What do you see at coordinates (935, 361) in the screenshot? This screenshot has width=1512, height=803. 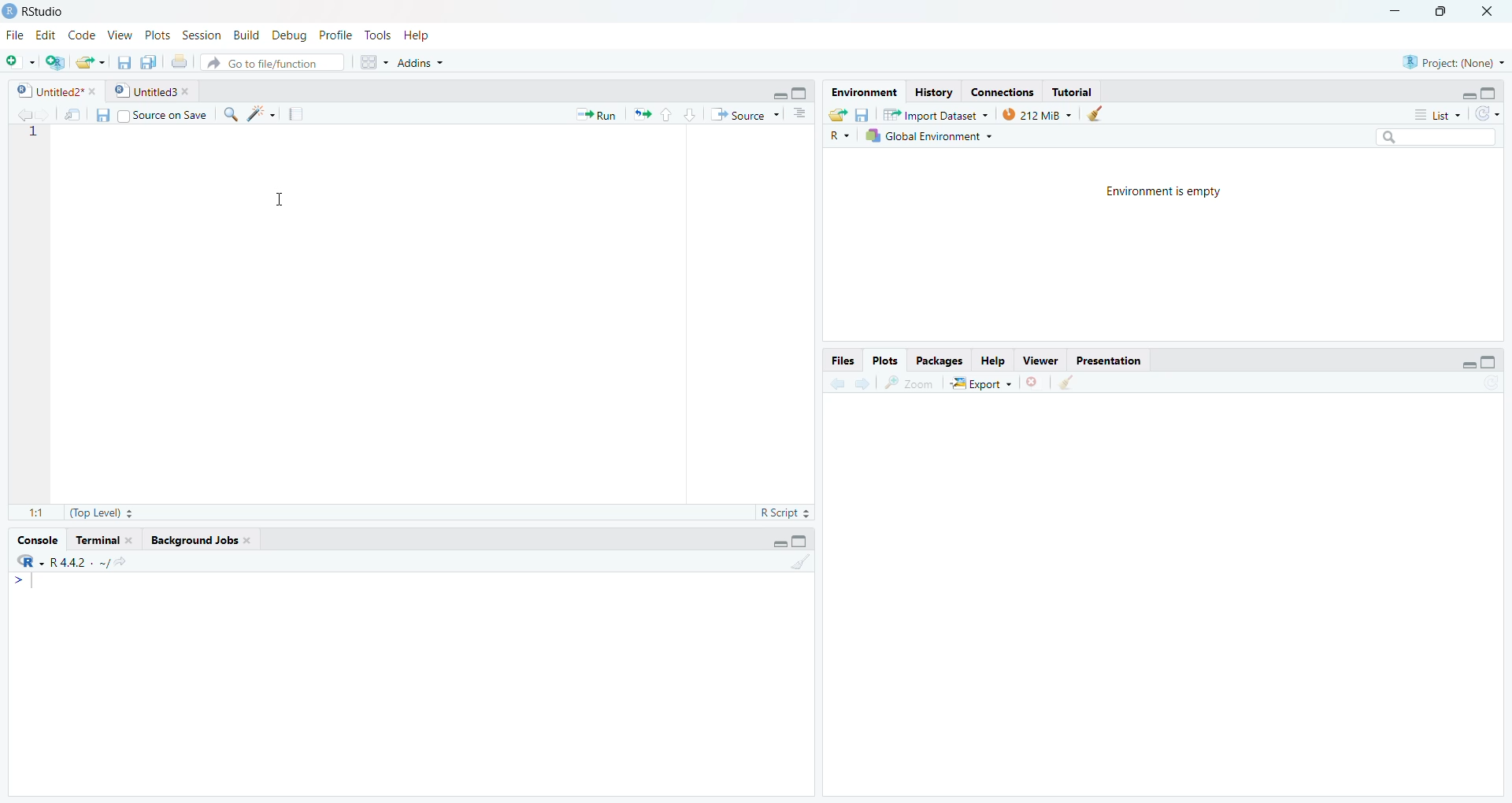 I see `packages` at bounding box center [935, 361].